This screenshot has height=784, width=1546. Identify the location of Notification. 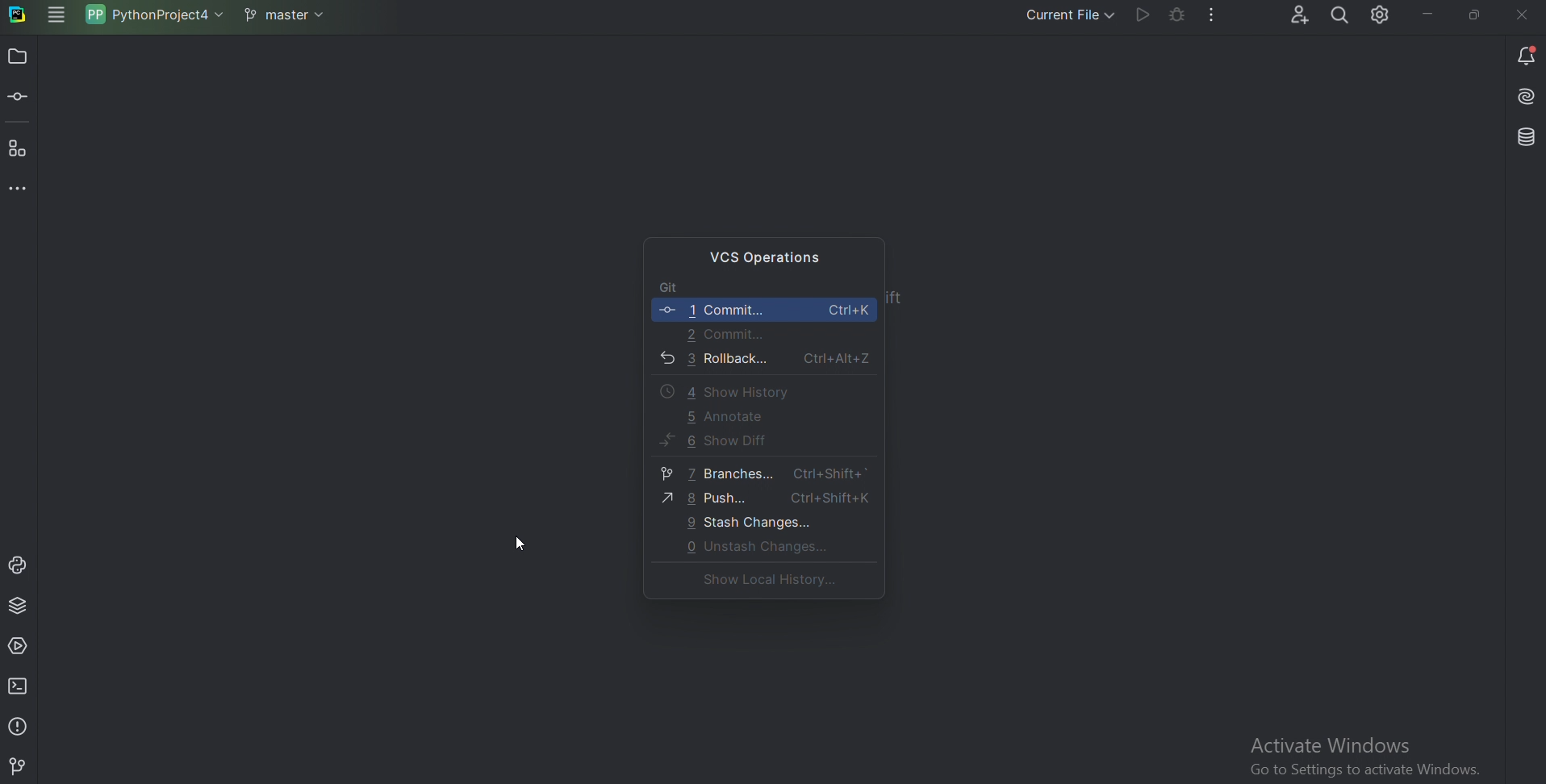
(1527, 55).